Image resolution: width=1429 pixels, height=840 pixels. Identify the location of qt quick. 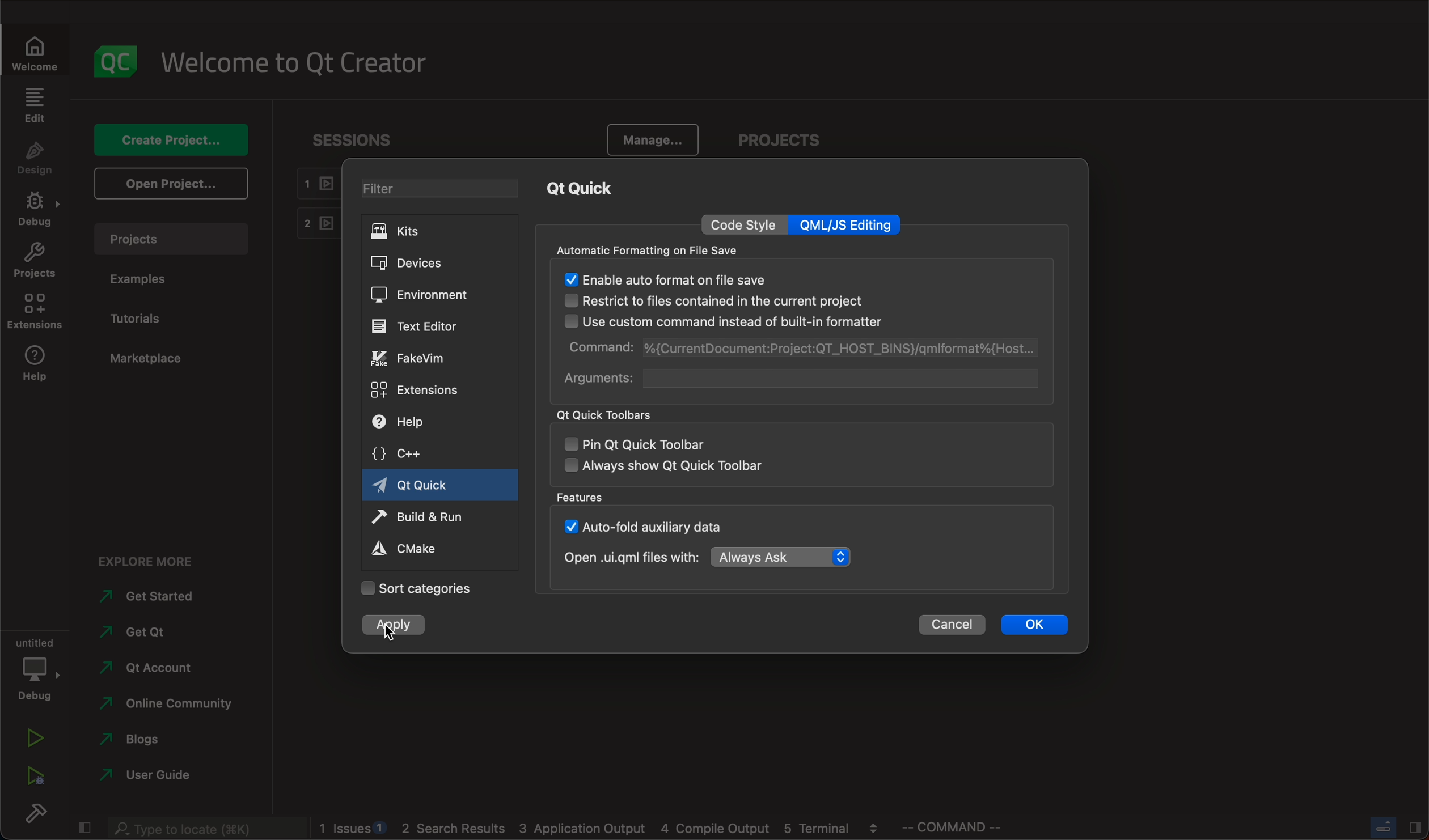
(425, 486).